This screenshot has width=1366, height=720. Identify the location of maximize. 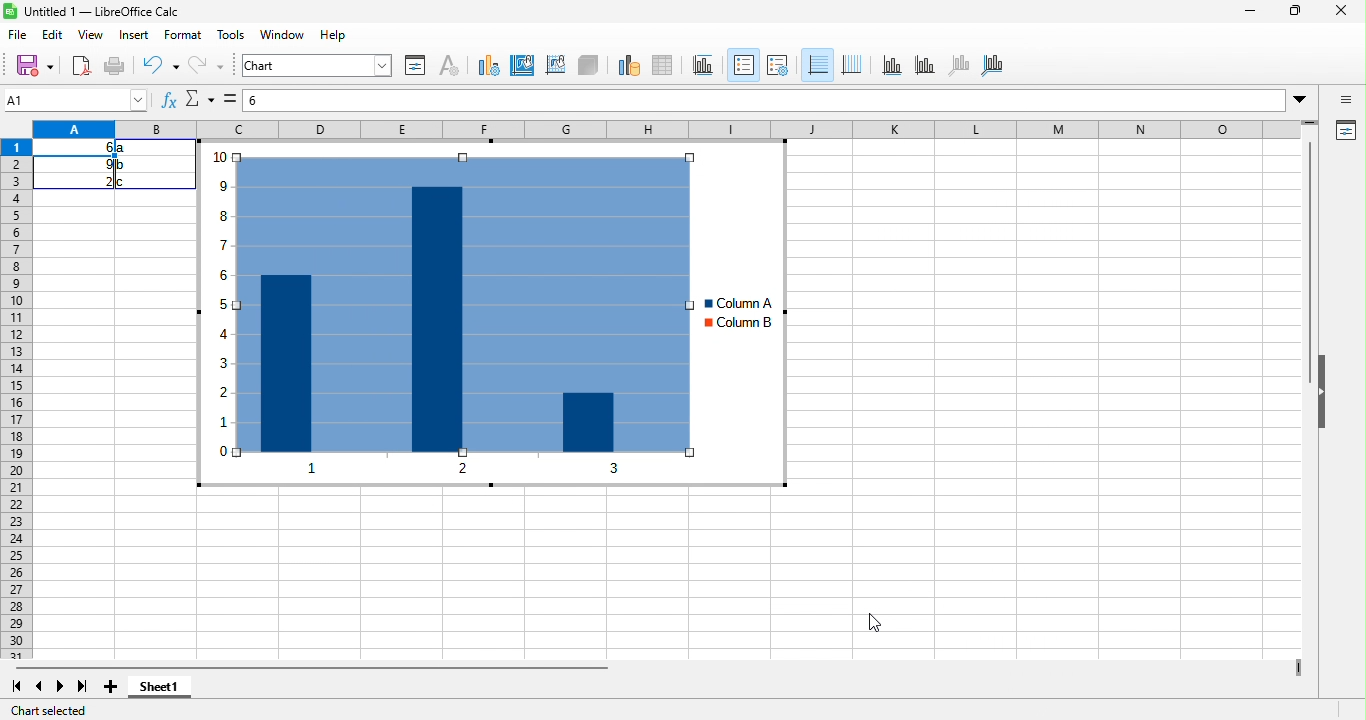
(1294, 12).